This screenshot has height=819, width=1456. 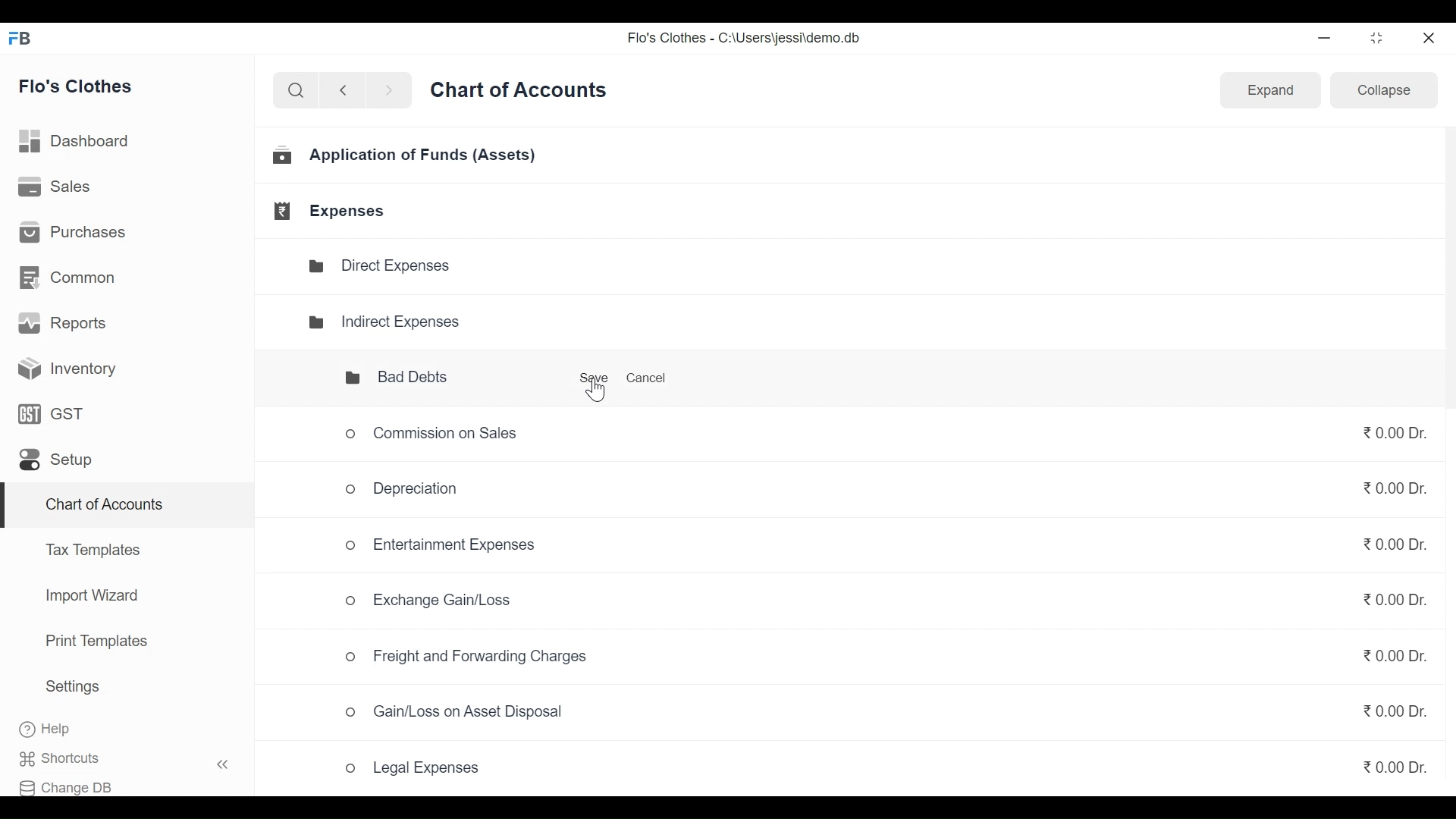 I want to click on Bad Debts, so click(x=406, y=380).